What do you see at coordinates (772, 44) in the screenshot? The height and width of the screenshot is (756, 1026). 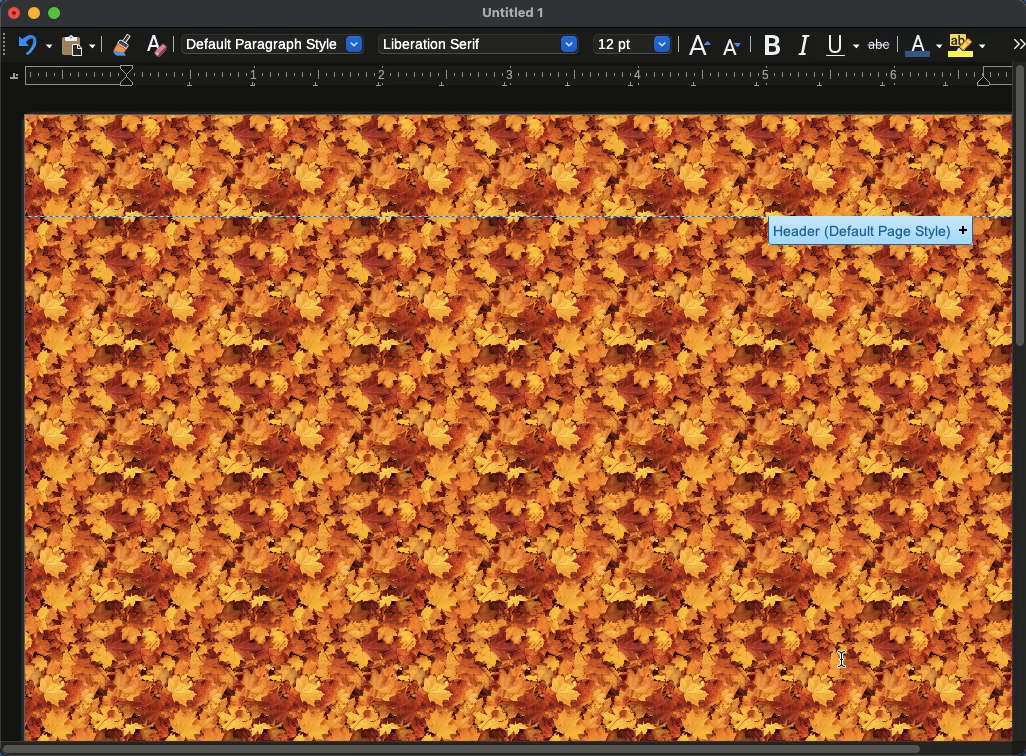 I see `bold` at bounding box center [772, 44].